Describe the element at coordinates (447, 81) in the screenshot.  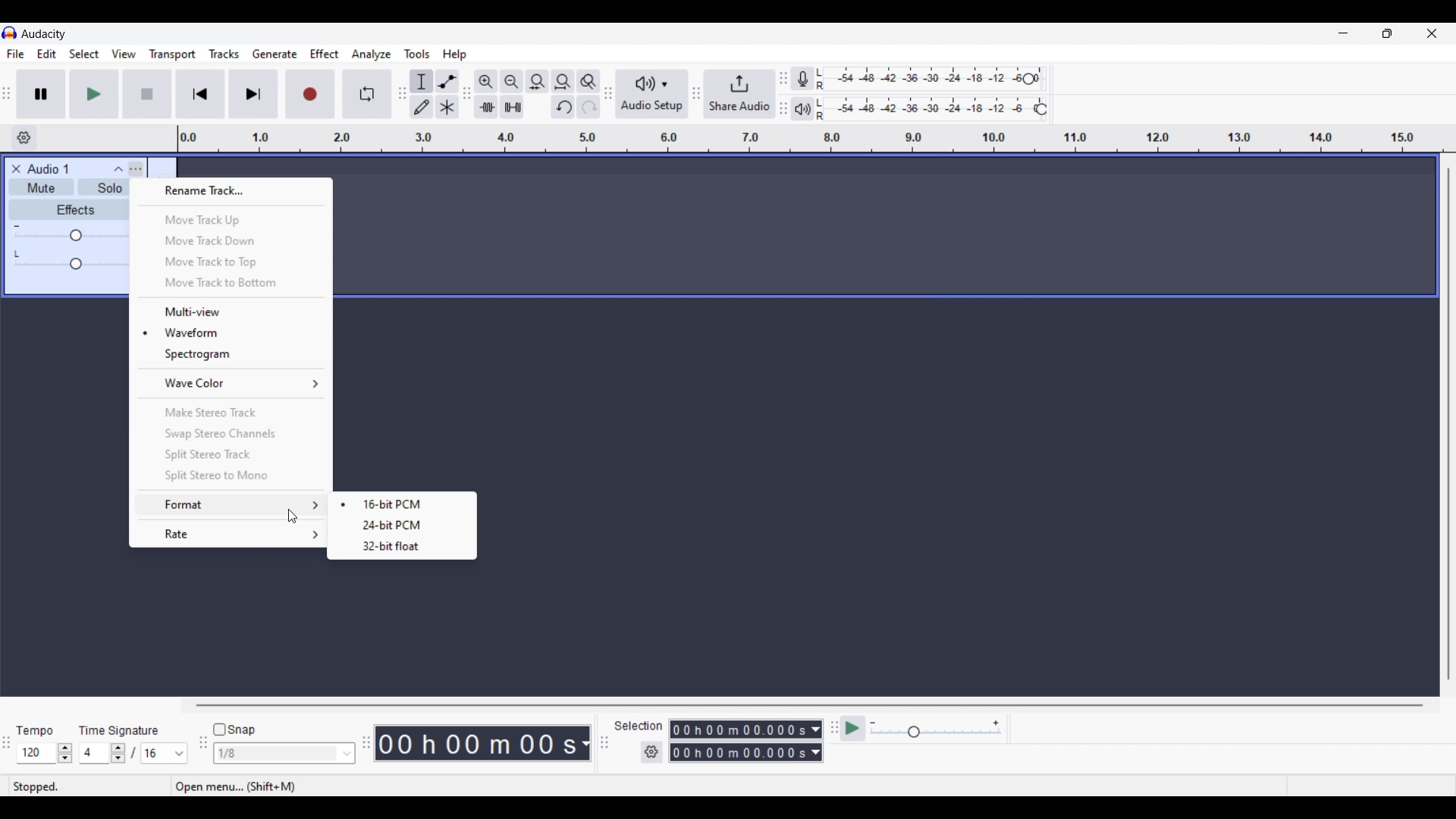
I see `Envelop tool` at that location.